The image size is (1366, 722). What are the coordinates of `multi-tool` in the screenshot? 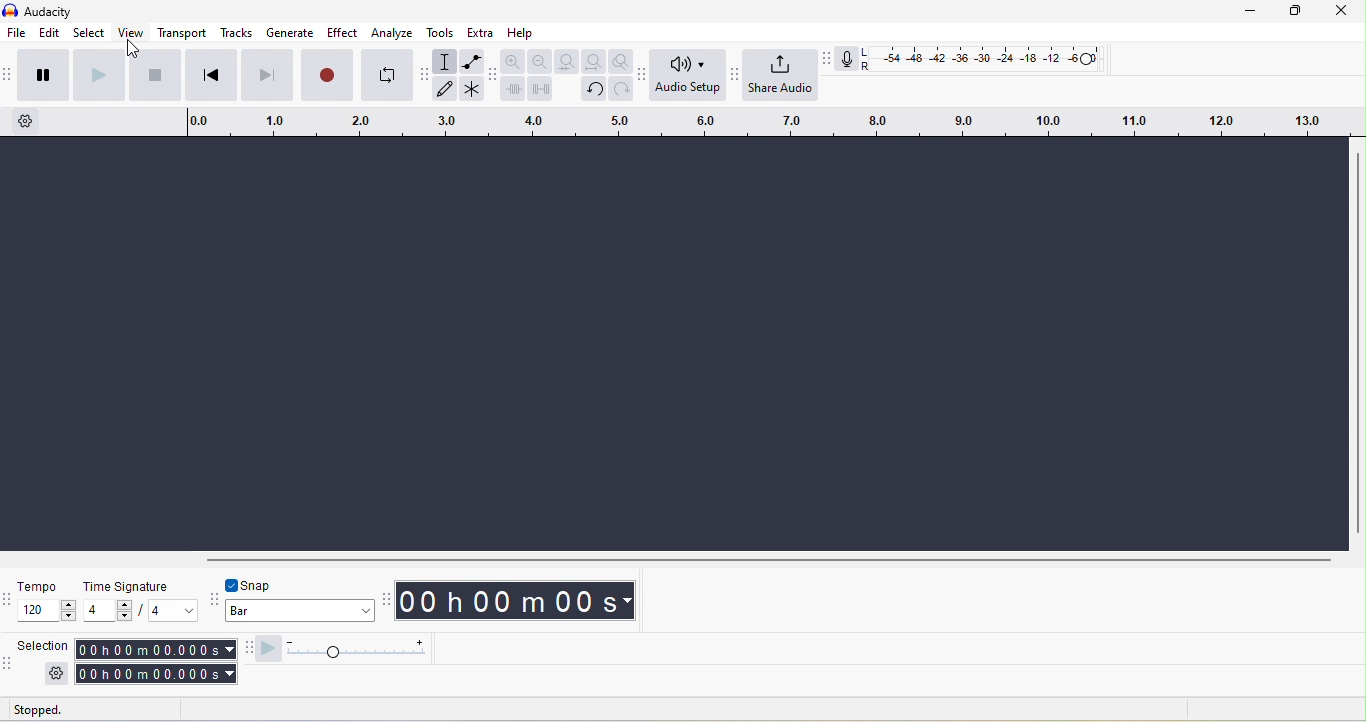 It's located at (472, 89).